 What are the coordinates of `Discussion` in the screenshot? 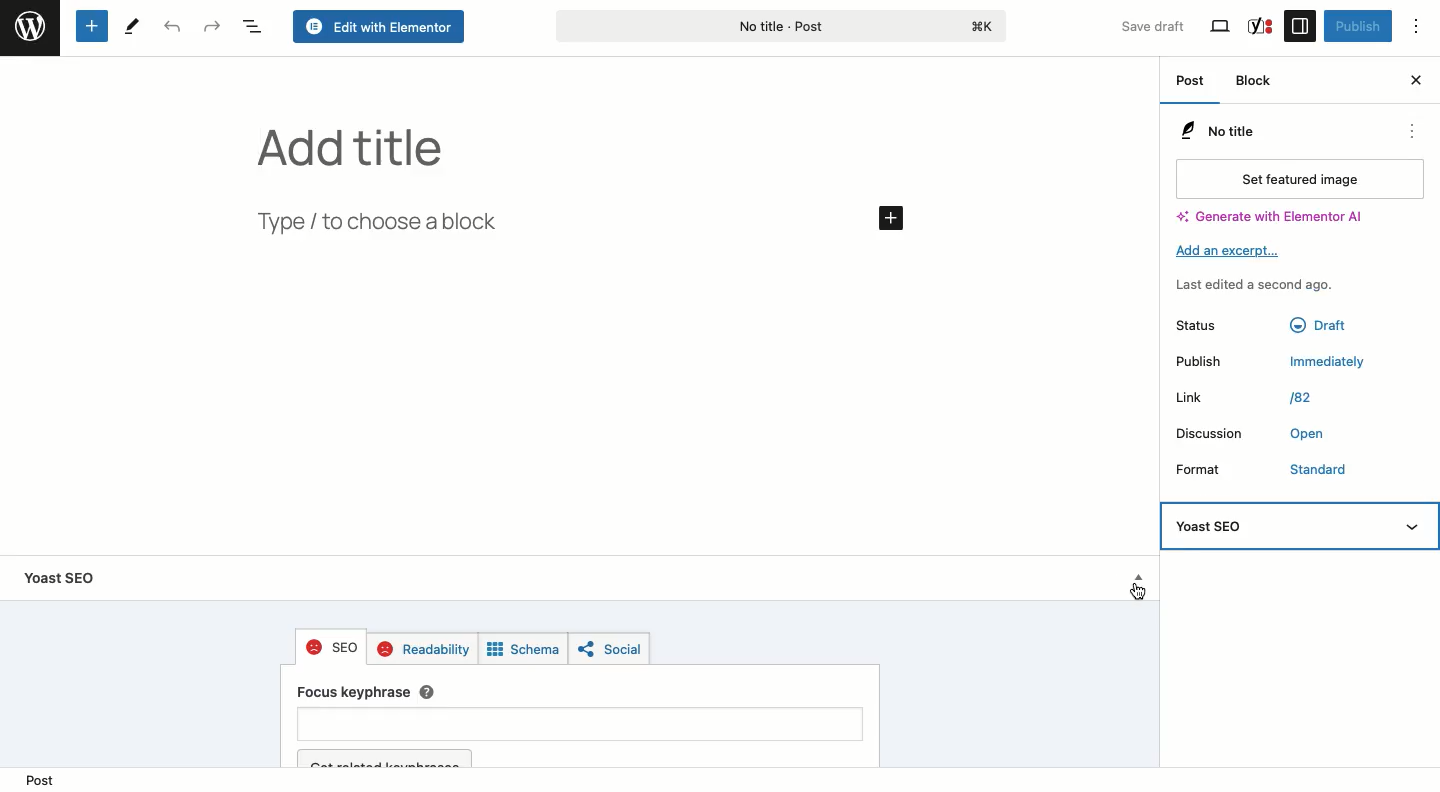 It's located at (1210, 433).